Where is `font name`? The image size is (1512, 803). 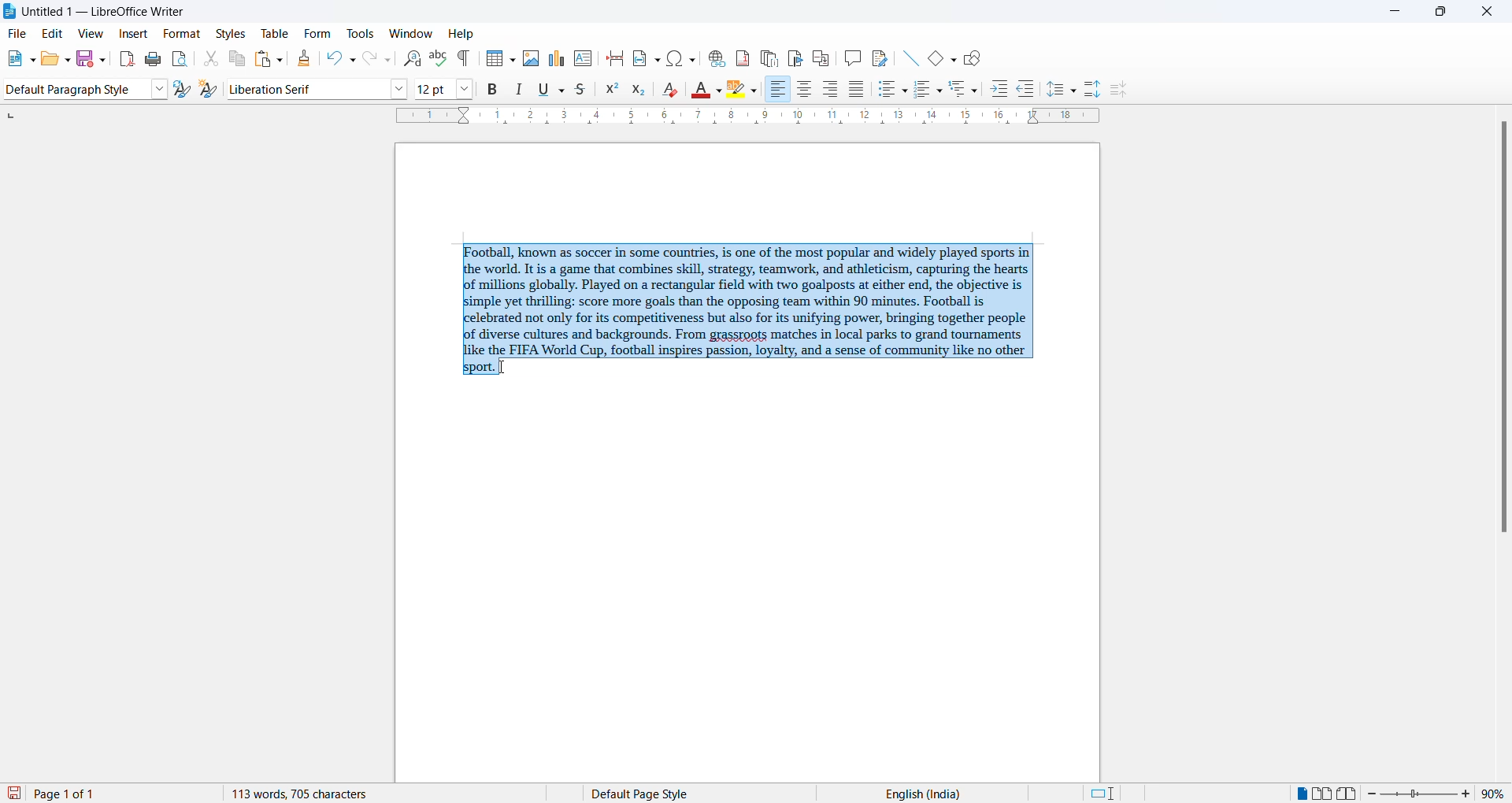 font name is located at coordinates (306, 88).